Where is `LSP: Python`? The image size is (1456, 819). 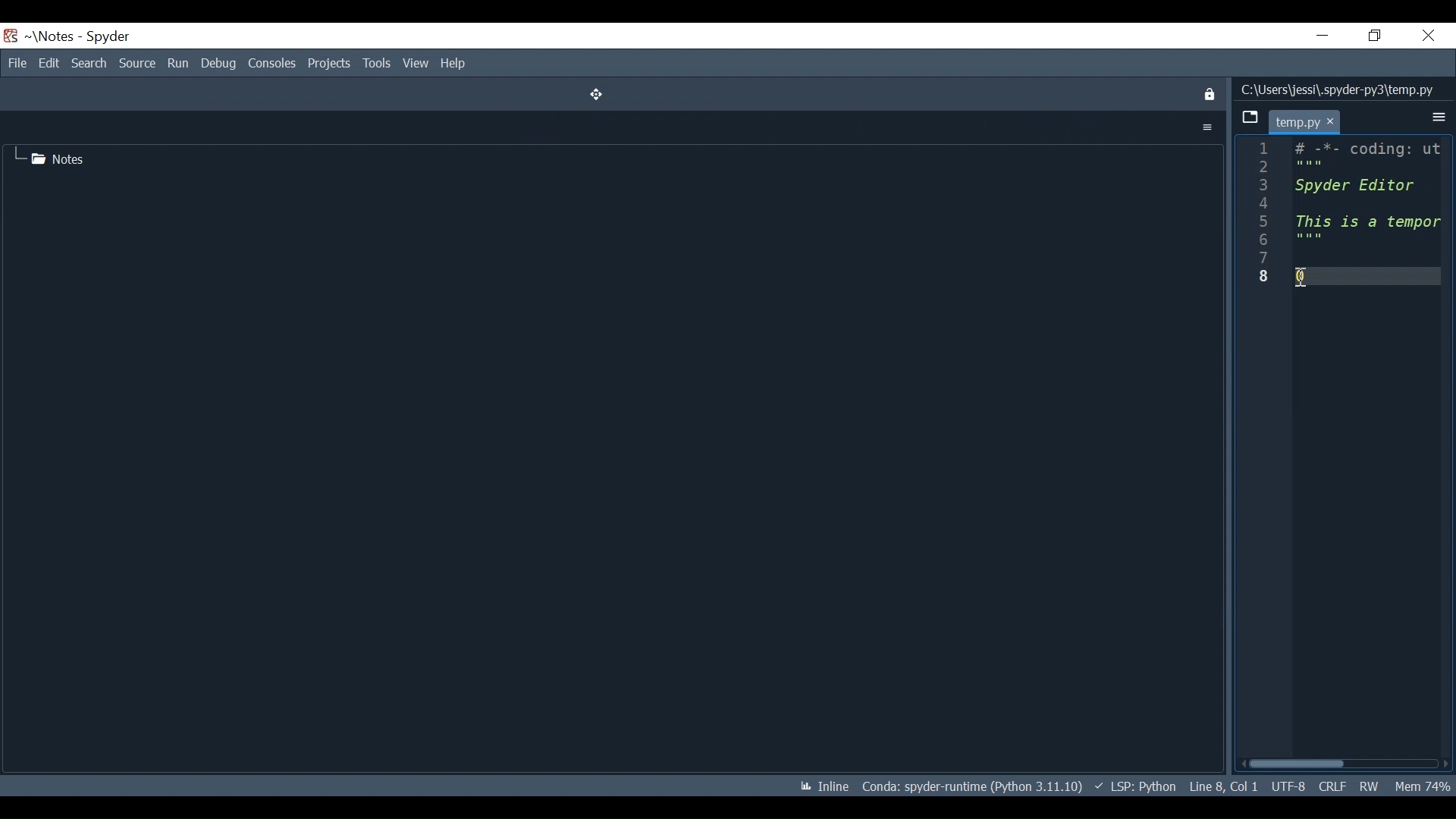
LSP: Python is located at coordinates (1134, 786).